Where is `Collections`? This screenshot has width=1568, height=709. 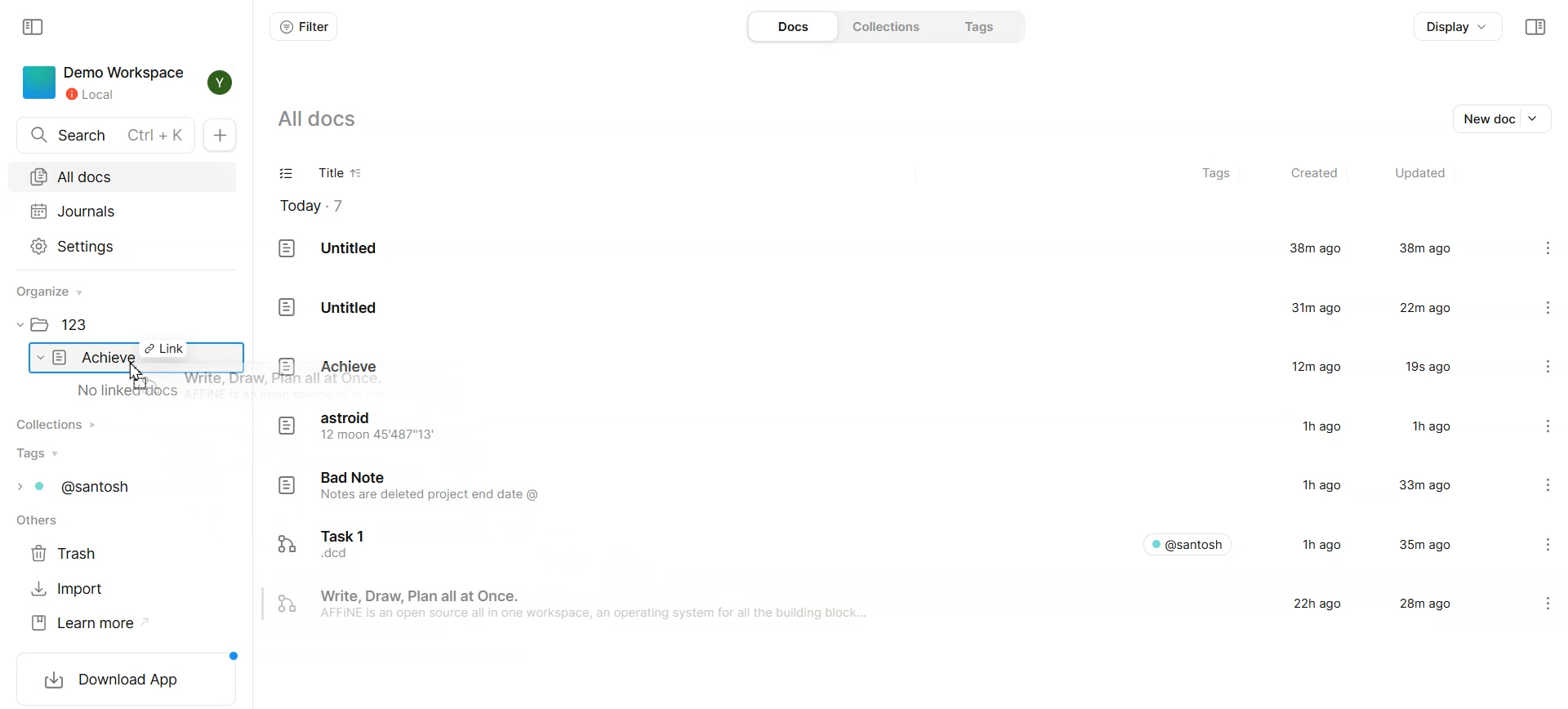 Collections is located at coordinates (884, 25).